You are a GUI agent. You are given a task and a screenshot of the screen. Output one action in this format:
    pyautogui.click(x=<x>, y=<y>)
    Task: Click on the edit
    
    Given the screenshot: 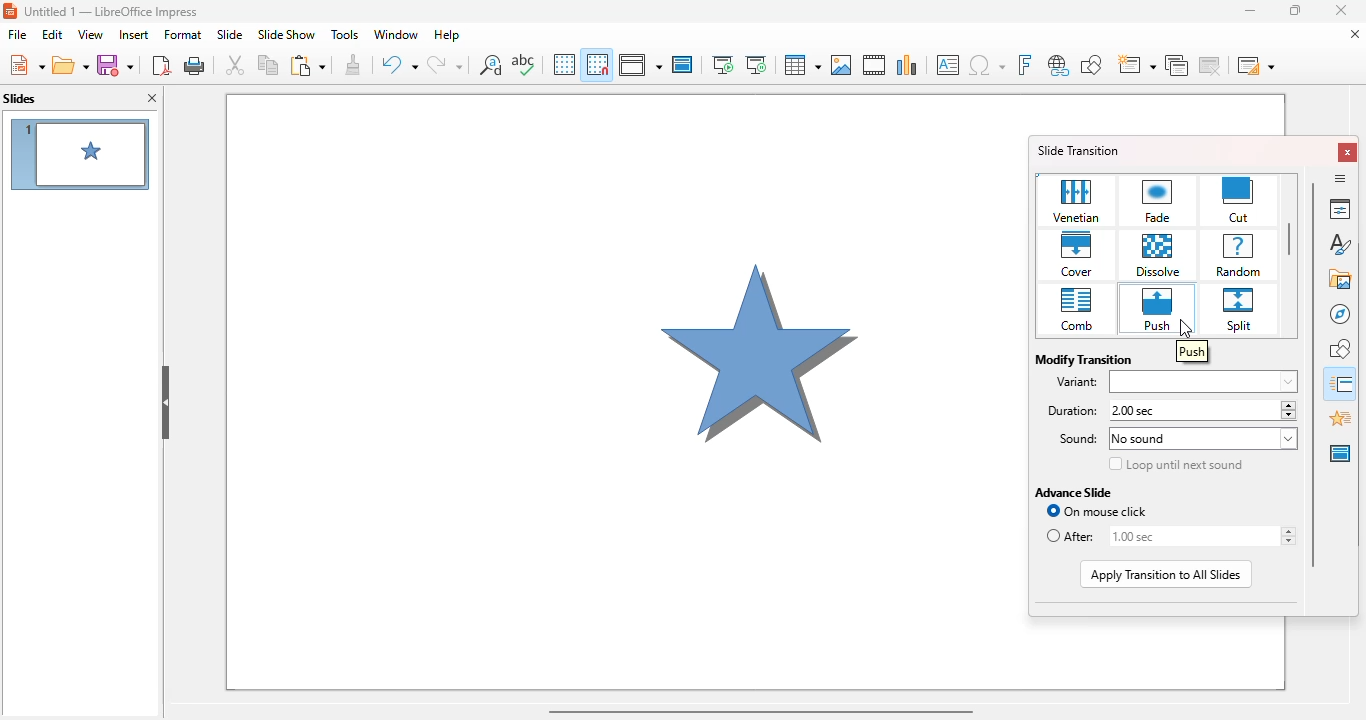 What is the action you would take?
    pyautogui.click(x=53, y=34)
    